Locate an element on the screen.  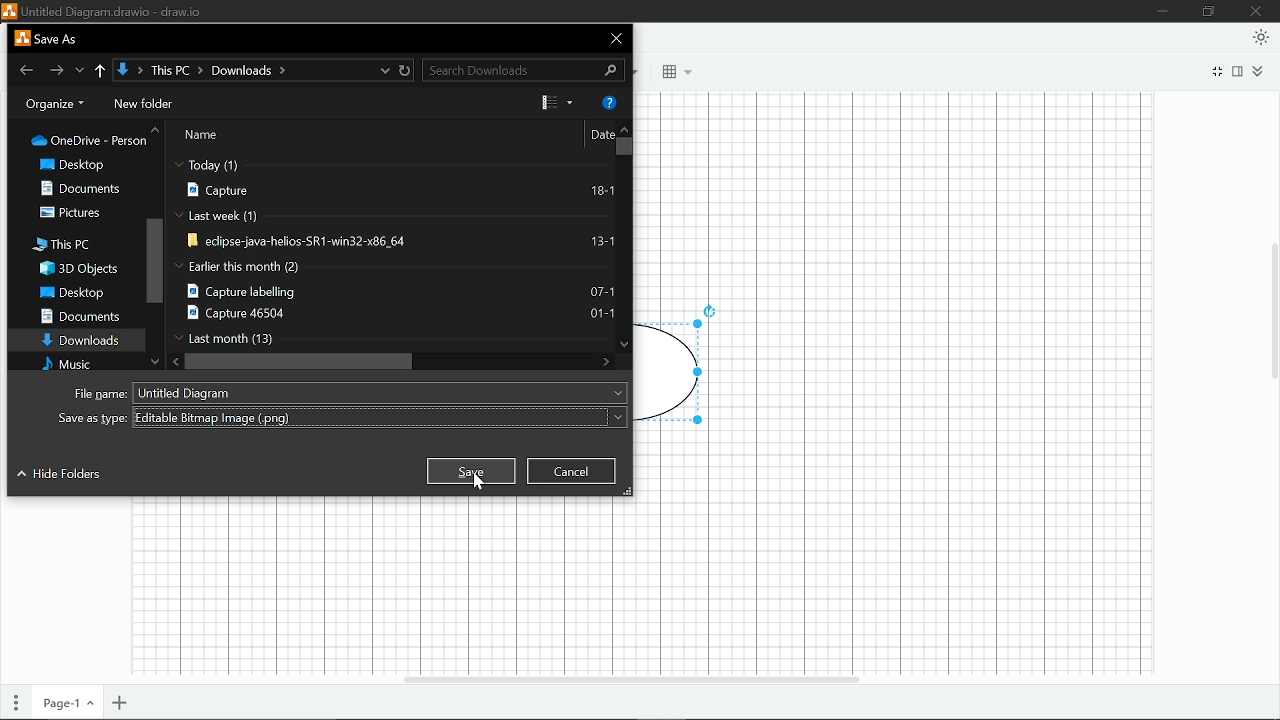
Organize is located at coordinates (55, 105).